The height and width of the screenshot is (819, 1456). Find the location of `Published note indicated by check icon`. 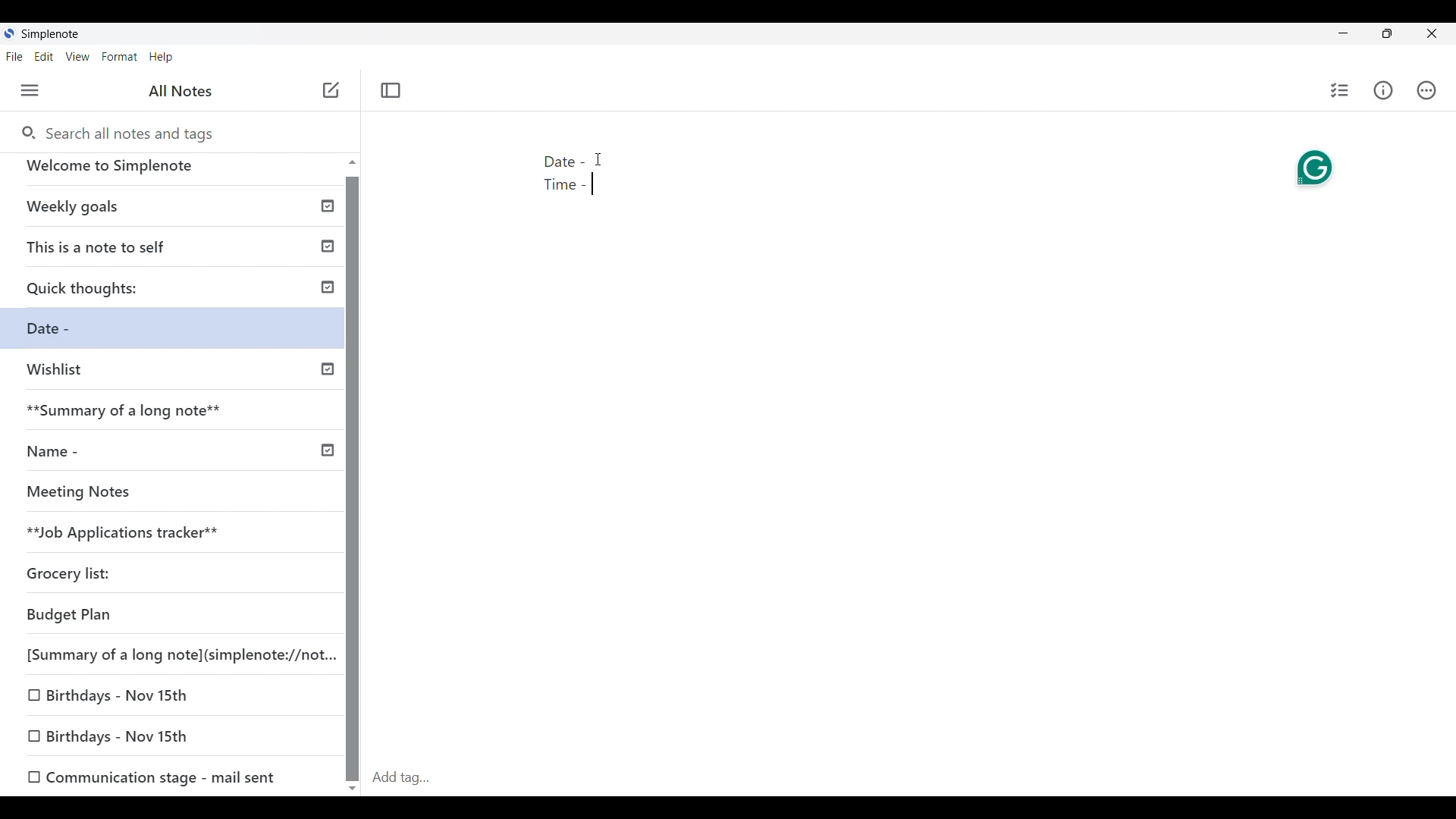

Published note indicated by check icon is located at coordinates (174, 212).